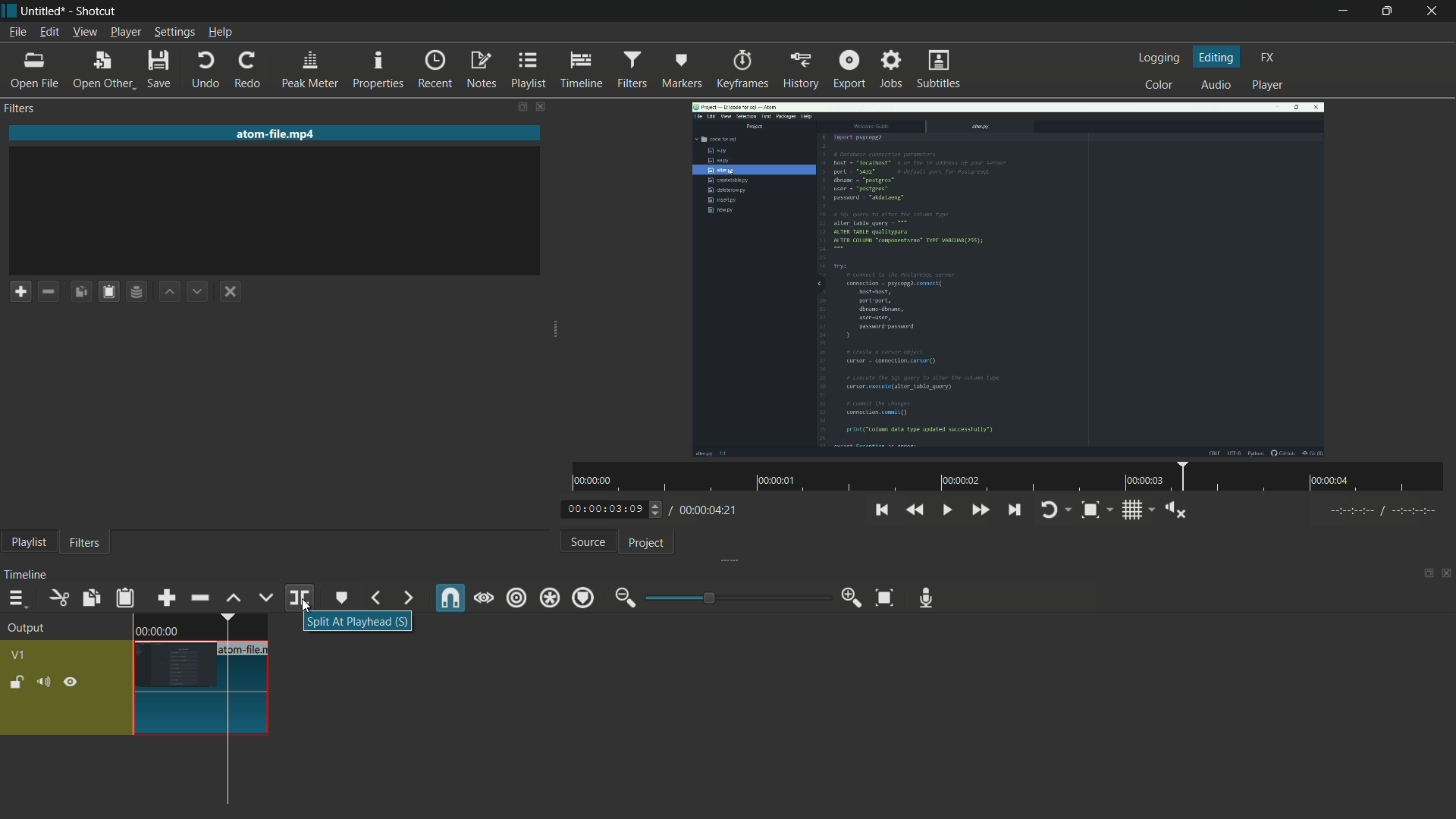 This screenshot has width=1456, height=819. What do you see at coordinates (450, 598) in the screenshot?
I see `snap` at bounding box center [450, 598].